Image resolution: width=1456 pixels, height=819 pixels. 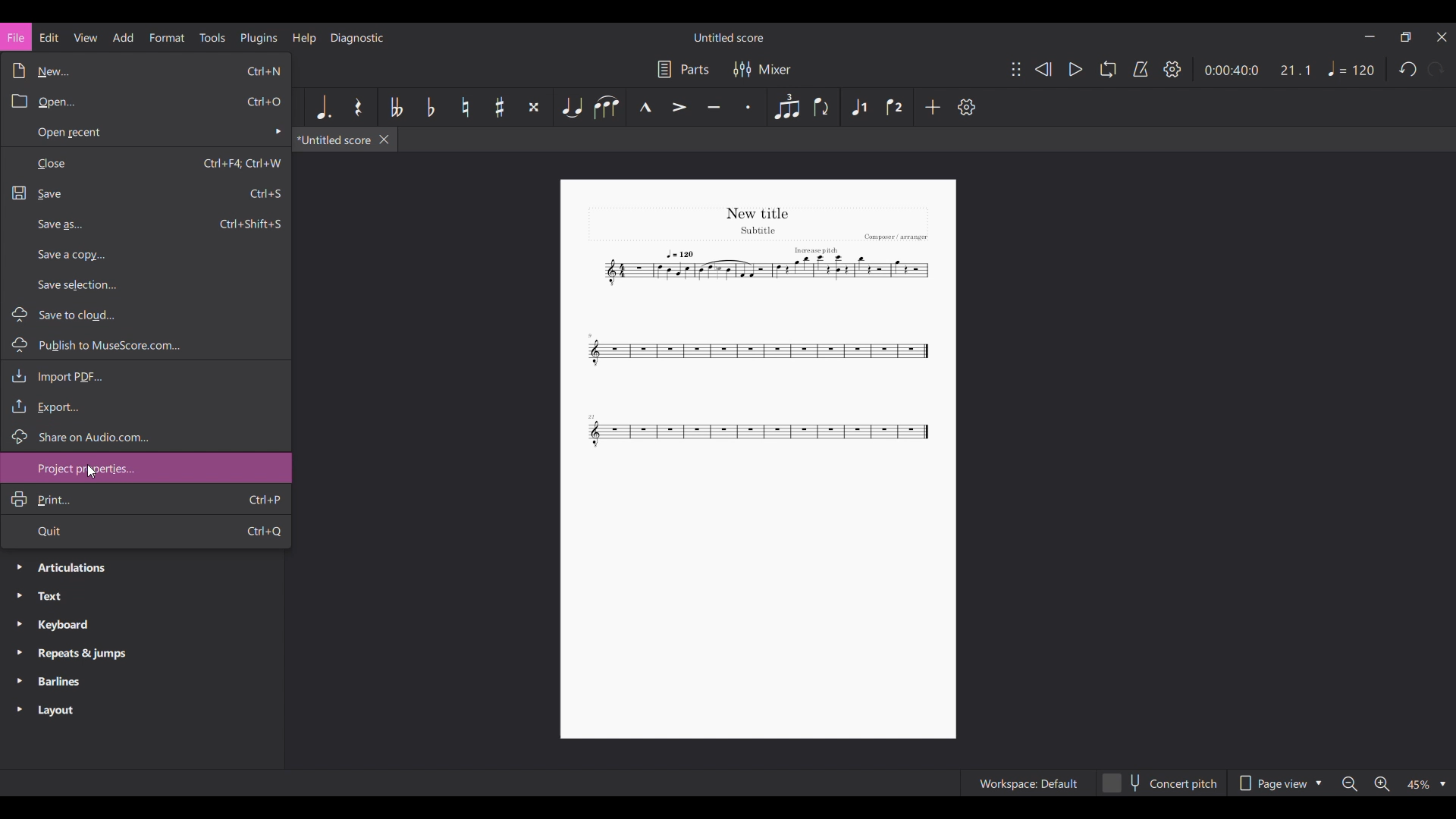 I want to click on Toggle double sharp, so click(x=534, y=107).